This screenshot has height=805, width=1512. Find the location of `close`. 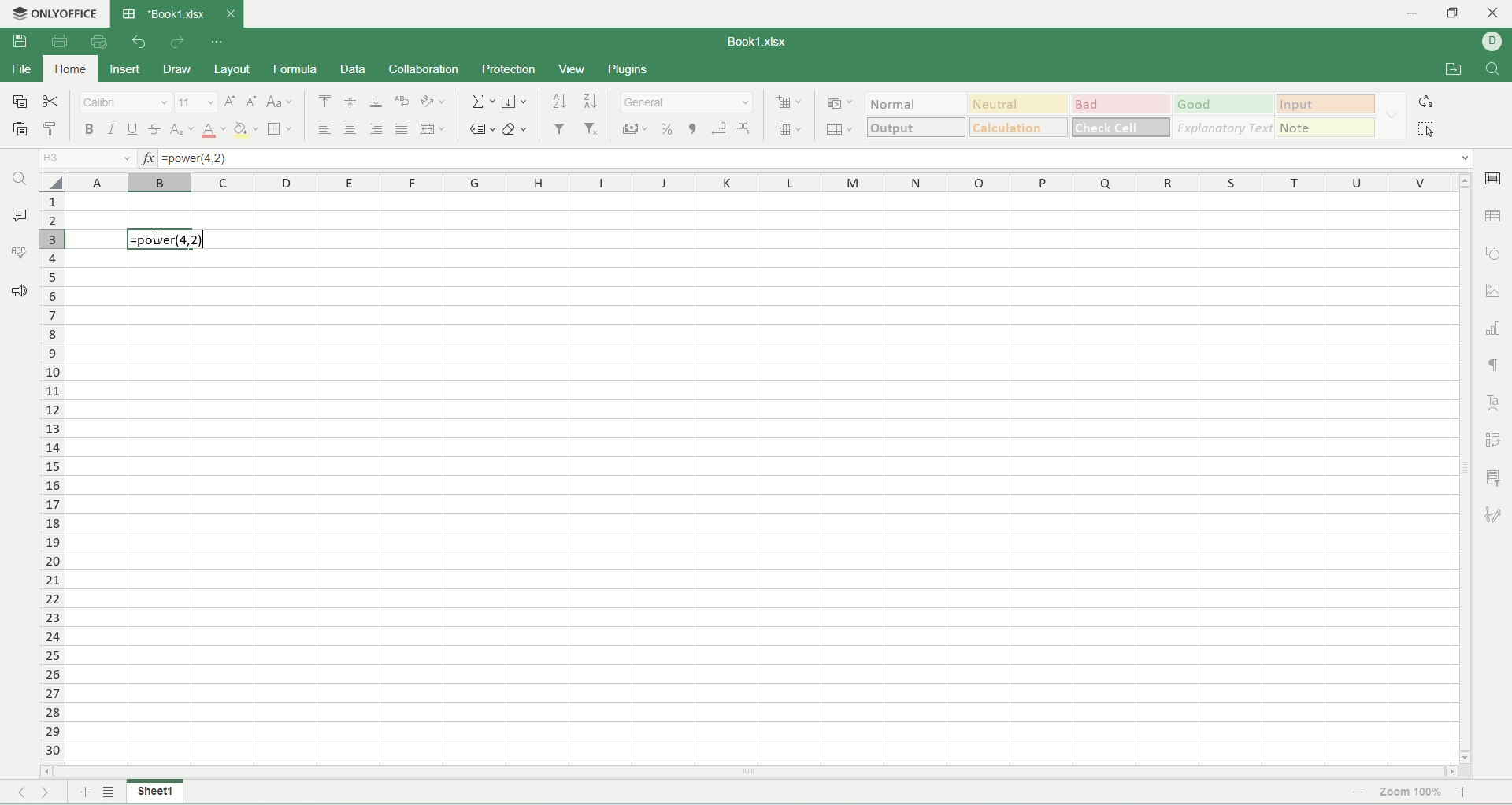

close is located at coordinates (1493, 14).